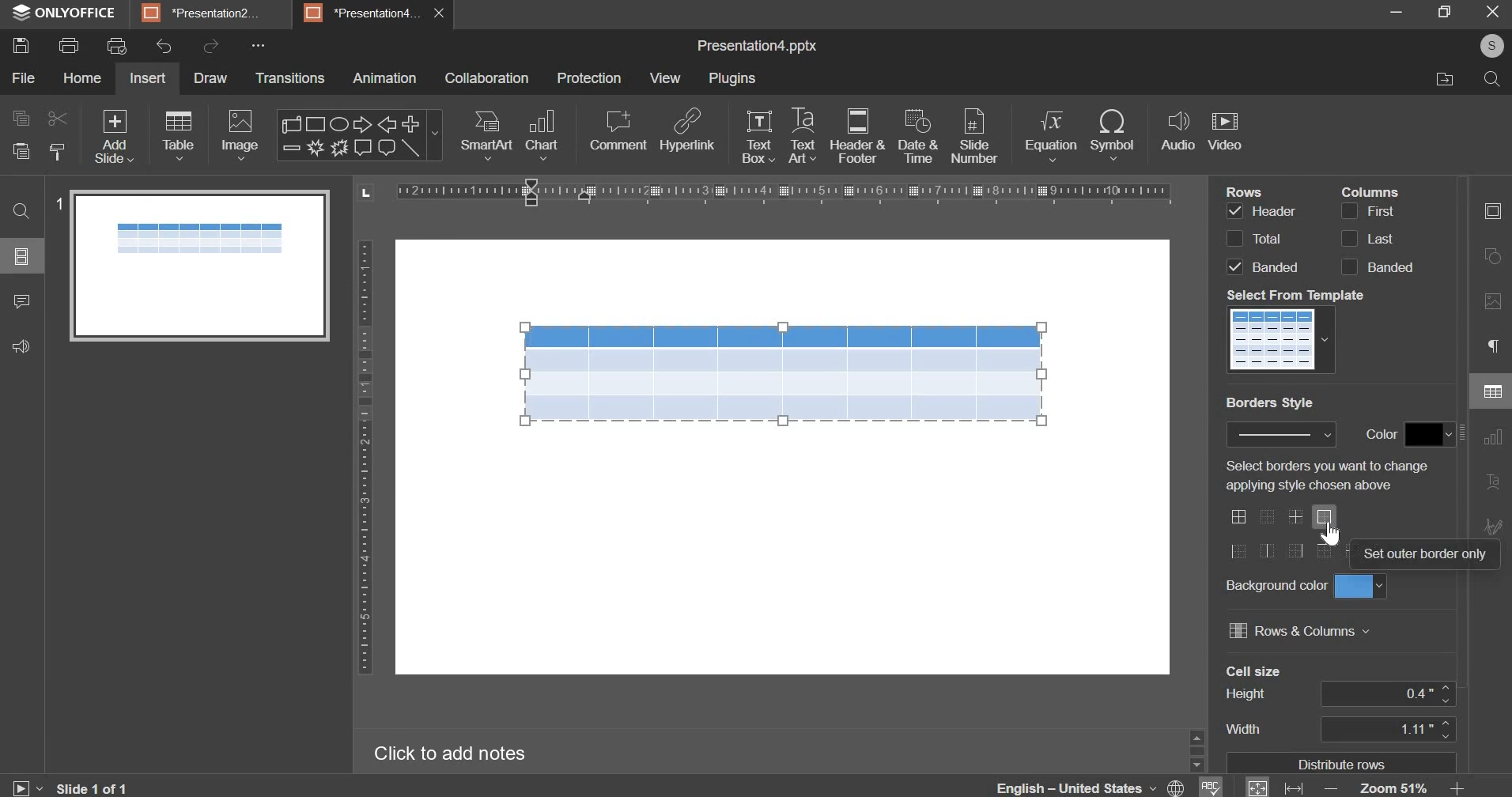 This screenshot has height=797, width=1512. Describe the element at coordinates (1378, 266) in the screenshot. I see `banded` at that location.